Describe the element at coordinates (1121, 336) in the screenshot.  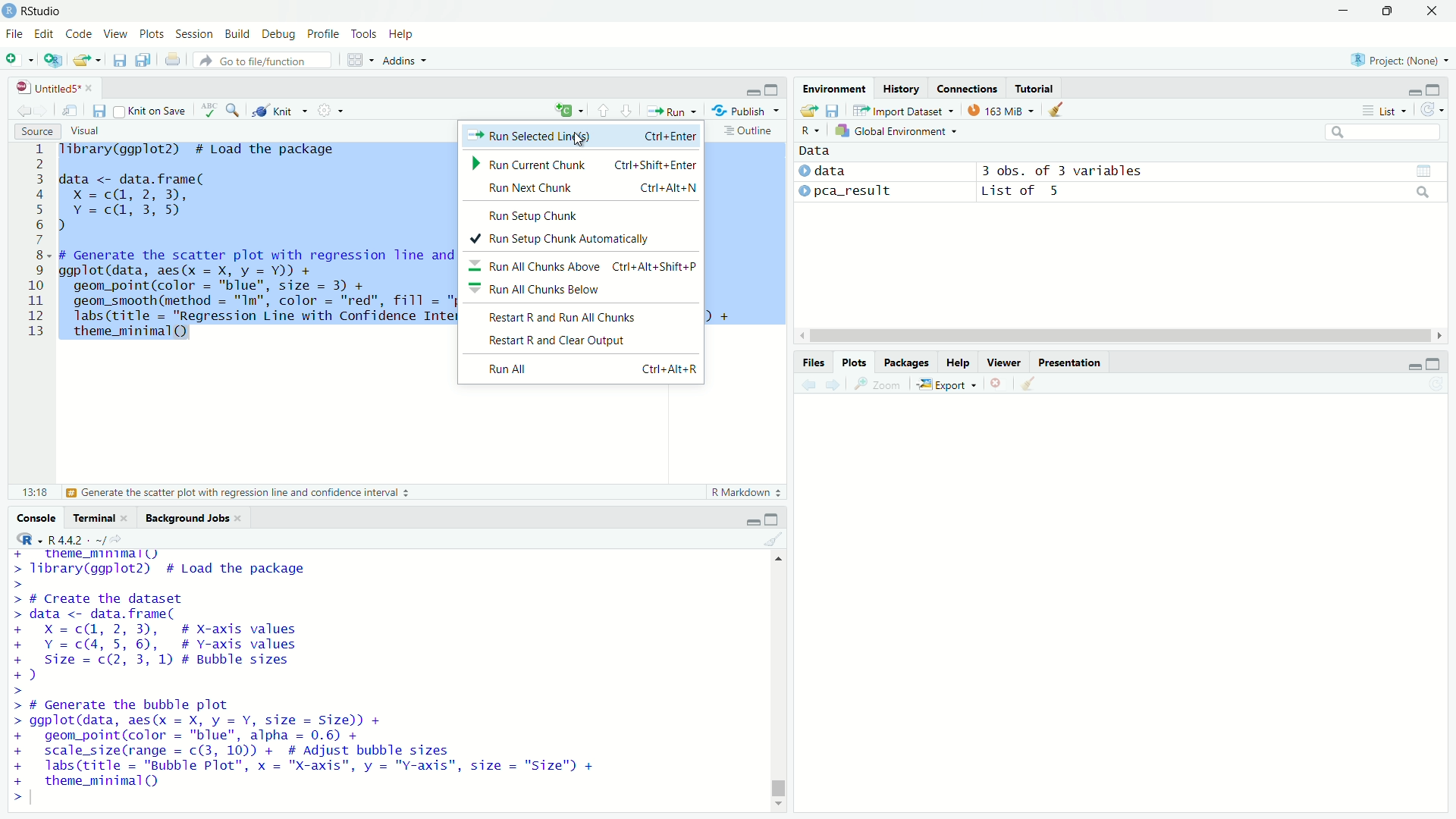
I see `horizontal scroll bar` at that location.